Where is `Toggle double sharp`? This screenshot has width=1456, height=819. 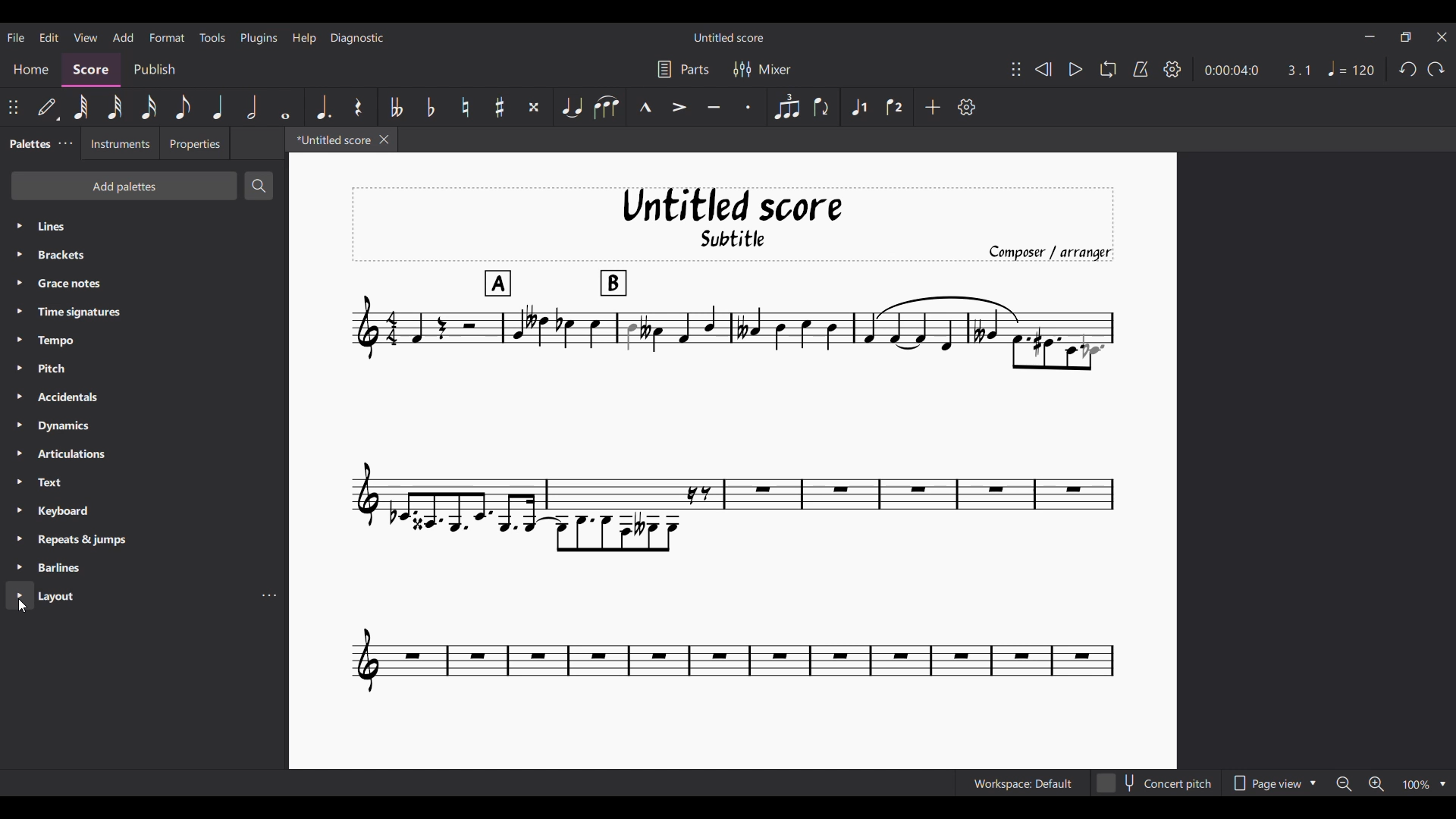
Toggle double sharp is located at coordinates (534, 107).